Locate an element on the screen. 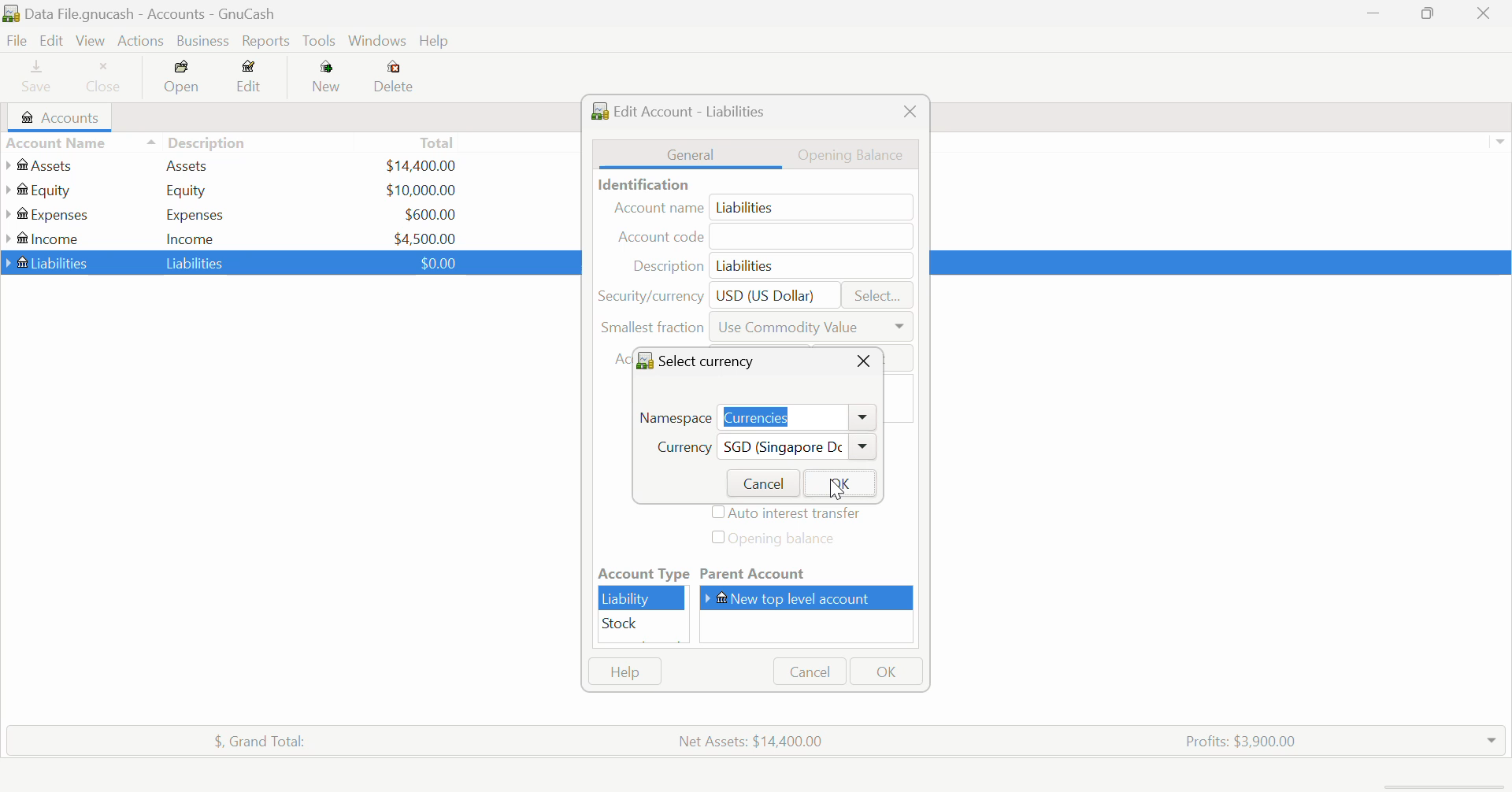 This screenshot has height=792, width=1512. Cancel is located at coordinates (808, 672).